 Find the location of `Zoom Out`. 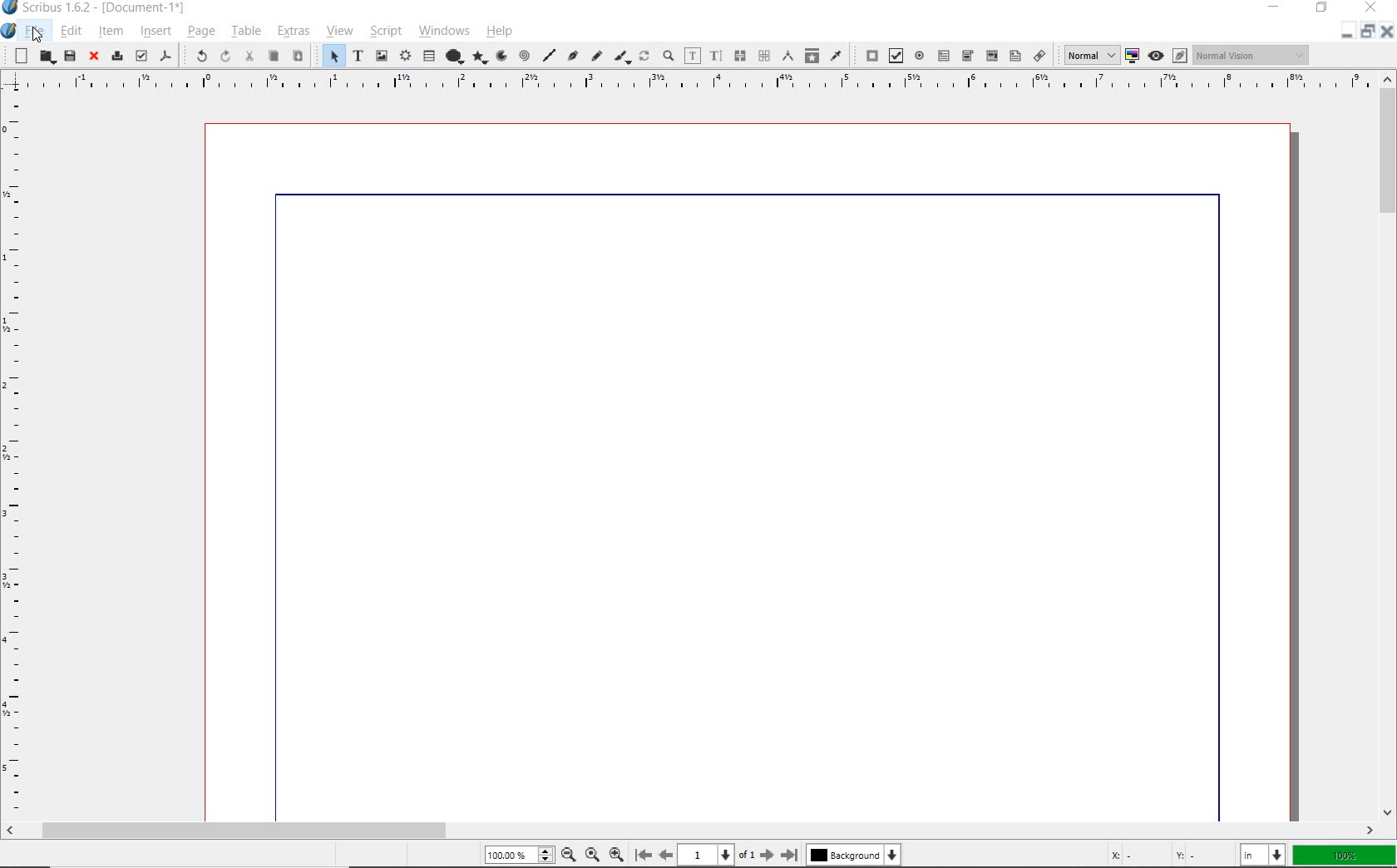

Zoom Out is located at coordinates (569, 855).